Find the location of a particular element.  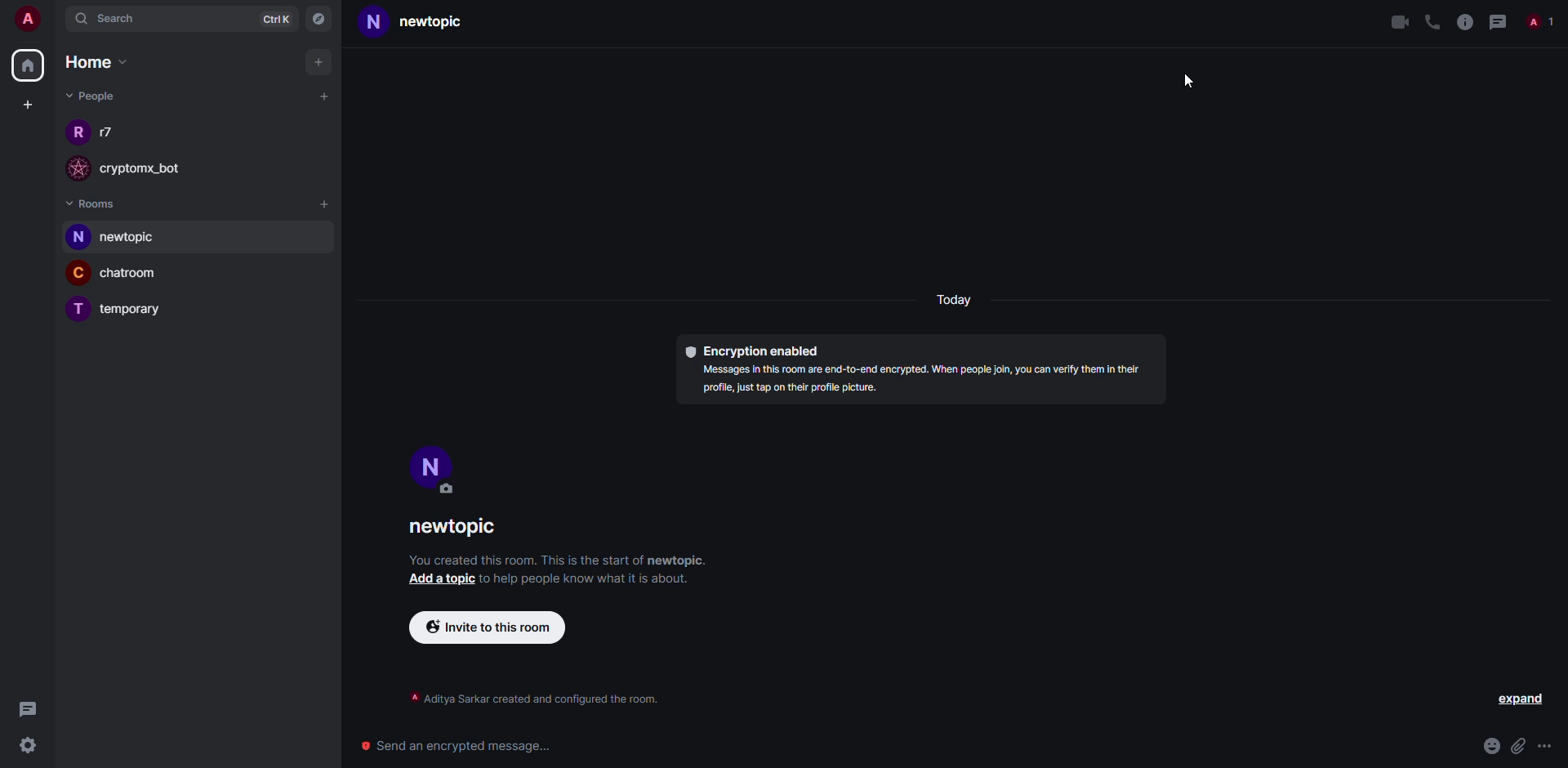

people is located at coordinates (110, 132).